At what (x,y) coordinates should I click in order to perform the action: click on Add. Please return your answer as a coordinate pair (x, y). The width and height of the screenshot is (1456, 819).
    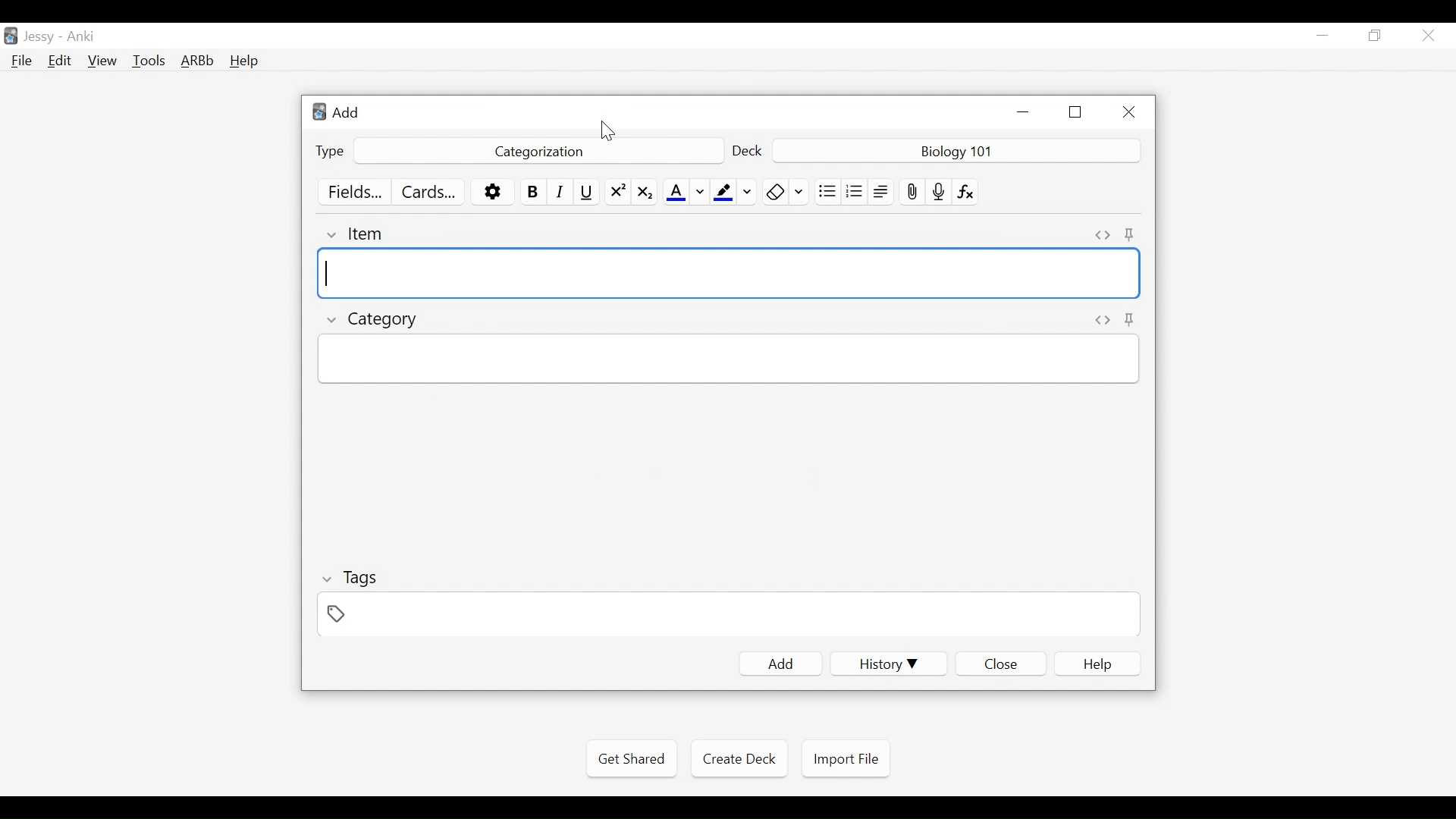
    Looking at the image, I should click on (345, 111).